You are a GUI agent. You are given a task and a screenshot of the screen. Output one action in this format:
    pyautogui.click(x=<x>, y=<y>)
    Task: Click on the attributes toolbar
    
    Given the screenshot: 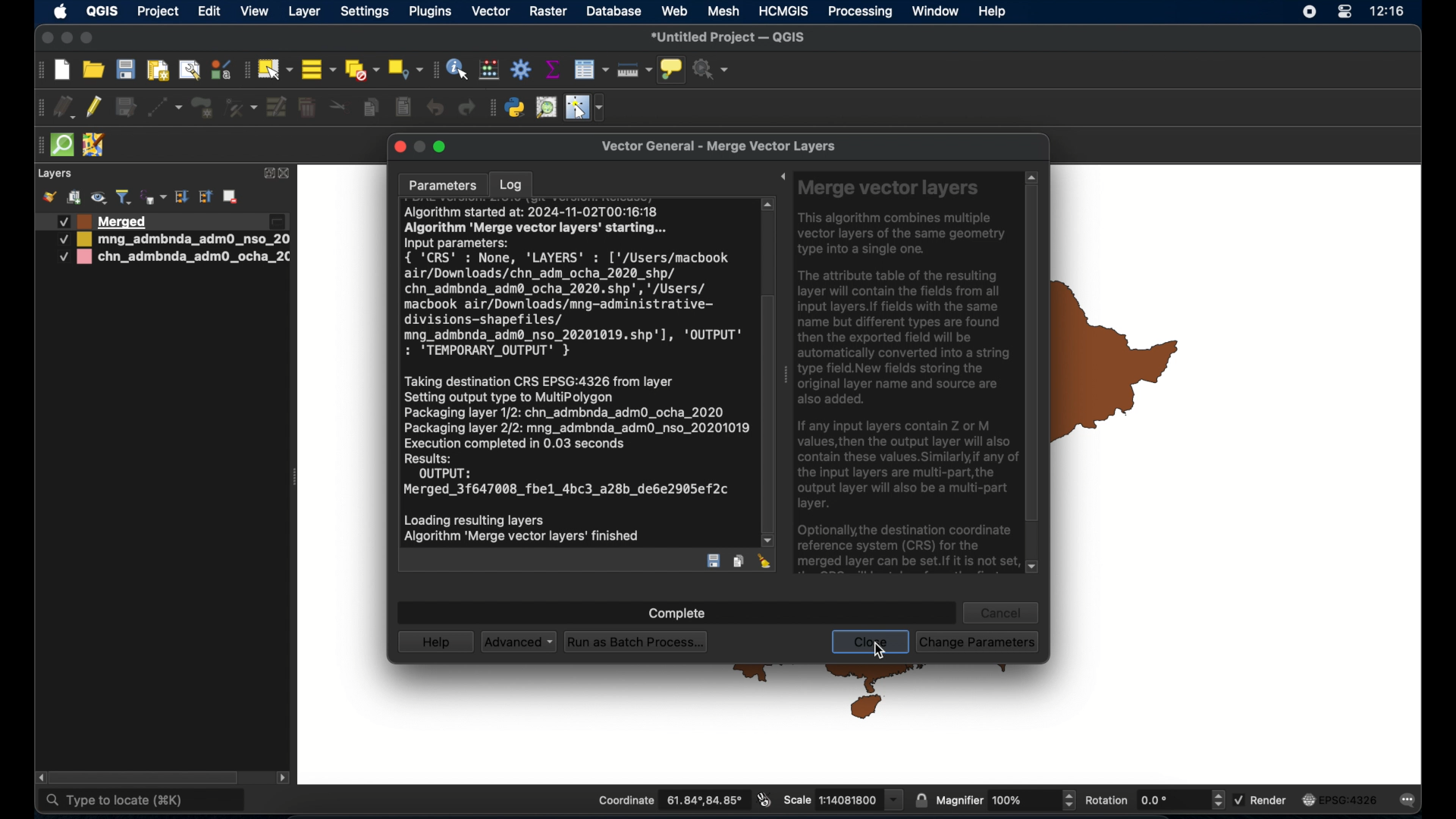 What is the action you would take?
    pyautogui.click(x=433, y=70)
    